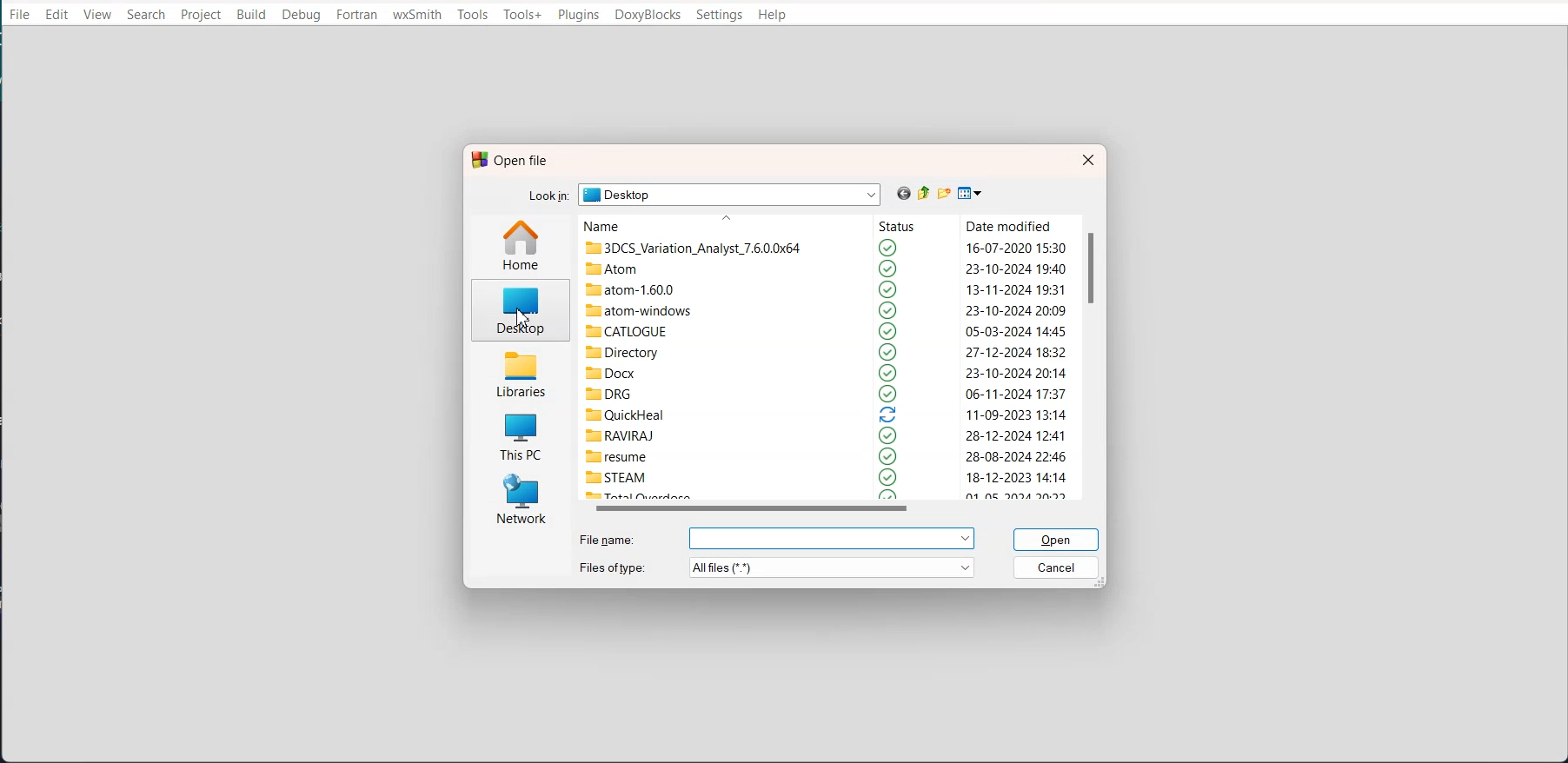  What do you see at coordinates (523, 320) in the screenshot?
I see `cursor` at bounding box center [523, 320].